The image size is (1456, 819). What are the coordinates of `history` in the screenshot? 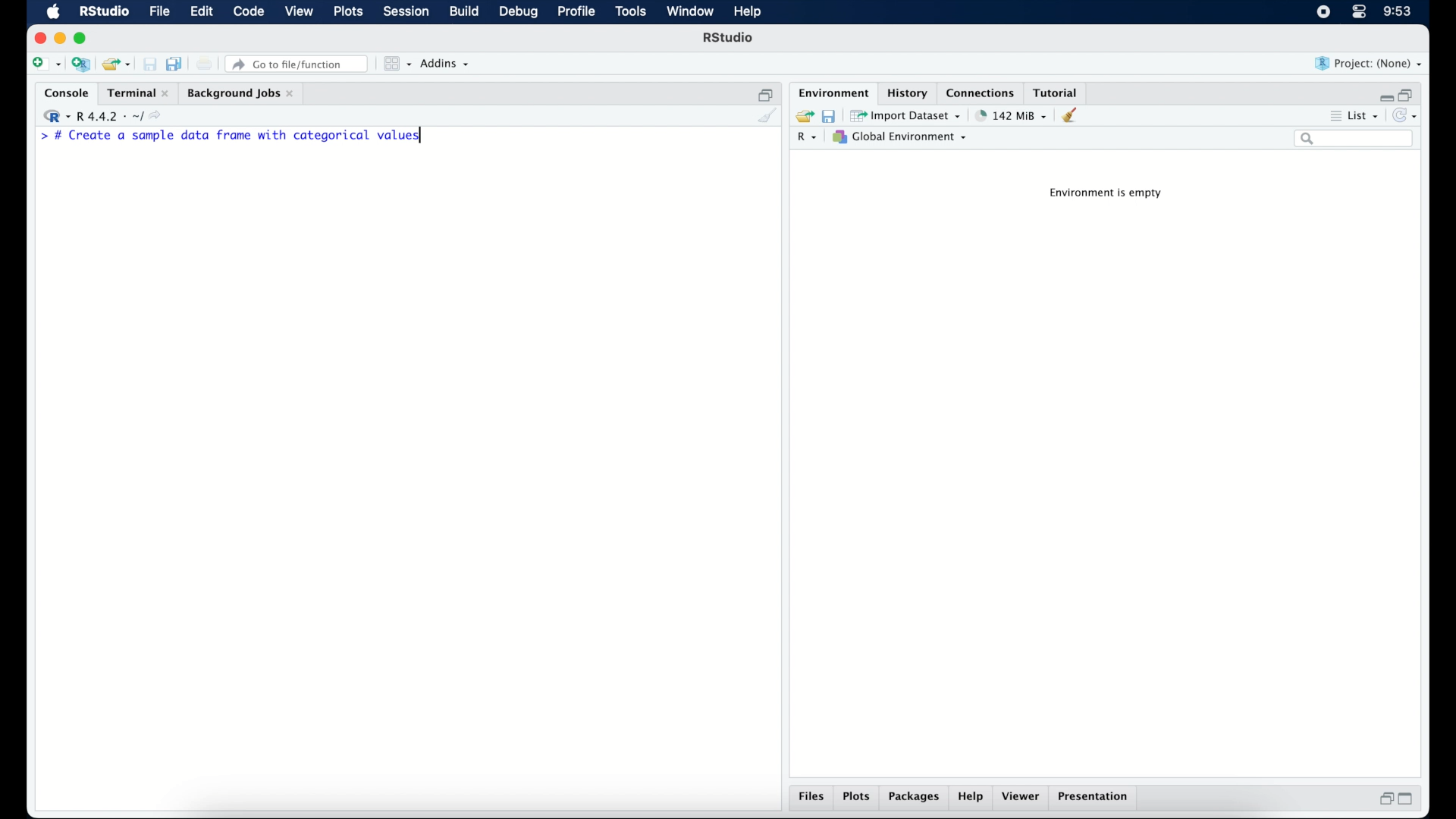 It's located at (909, 93).